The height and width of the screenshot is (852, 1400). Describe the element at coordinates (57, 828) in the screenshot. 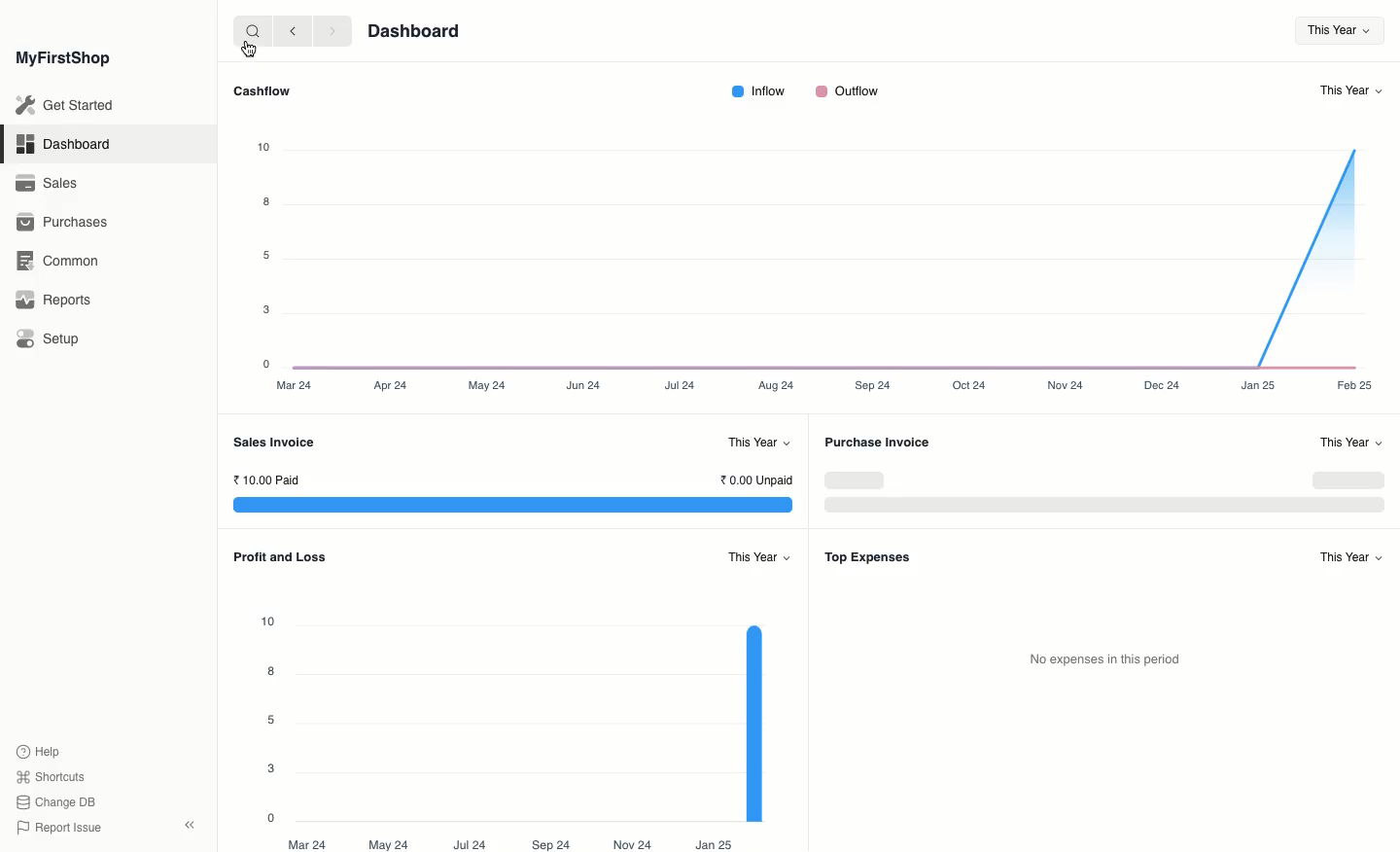

I see `Report Issue` at that location.